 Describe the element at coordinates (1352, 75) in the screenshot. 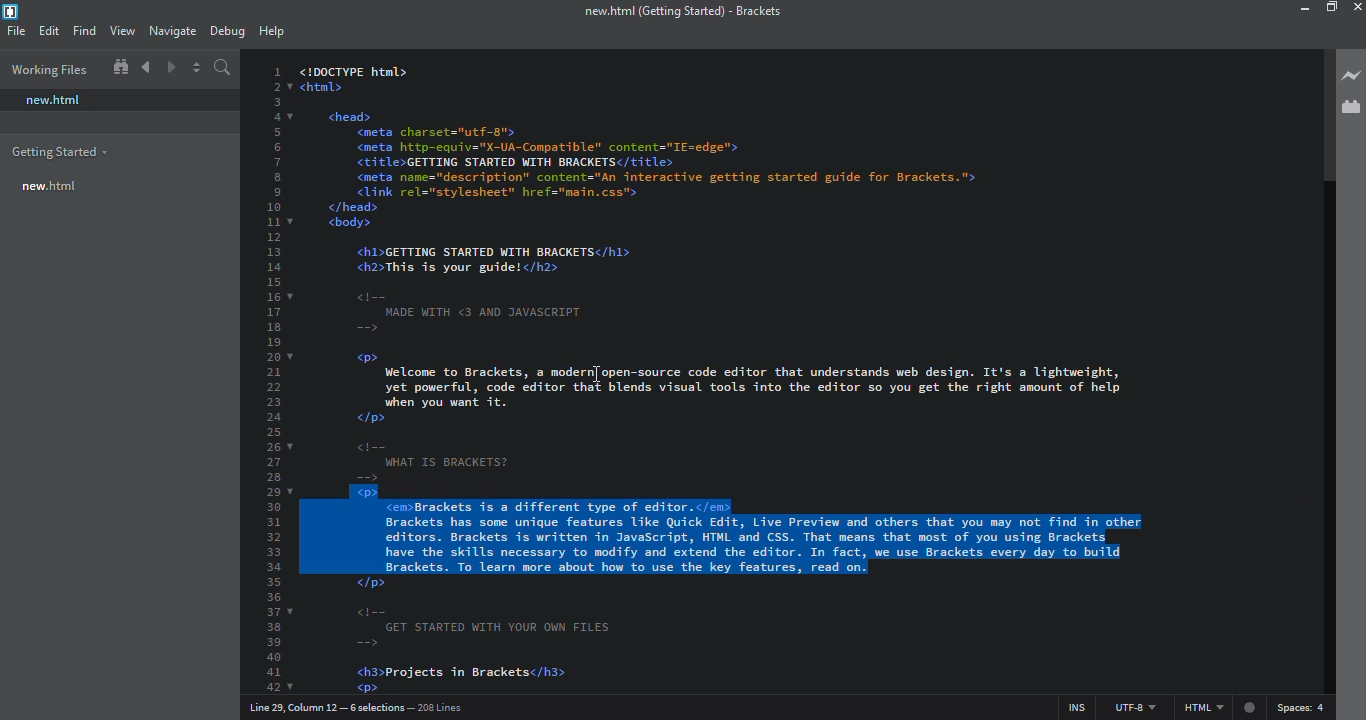

I see `line preview` at that location.